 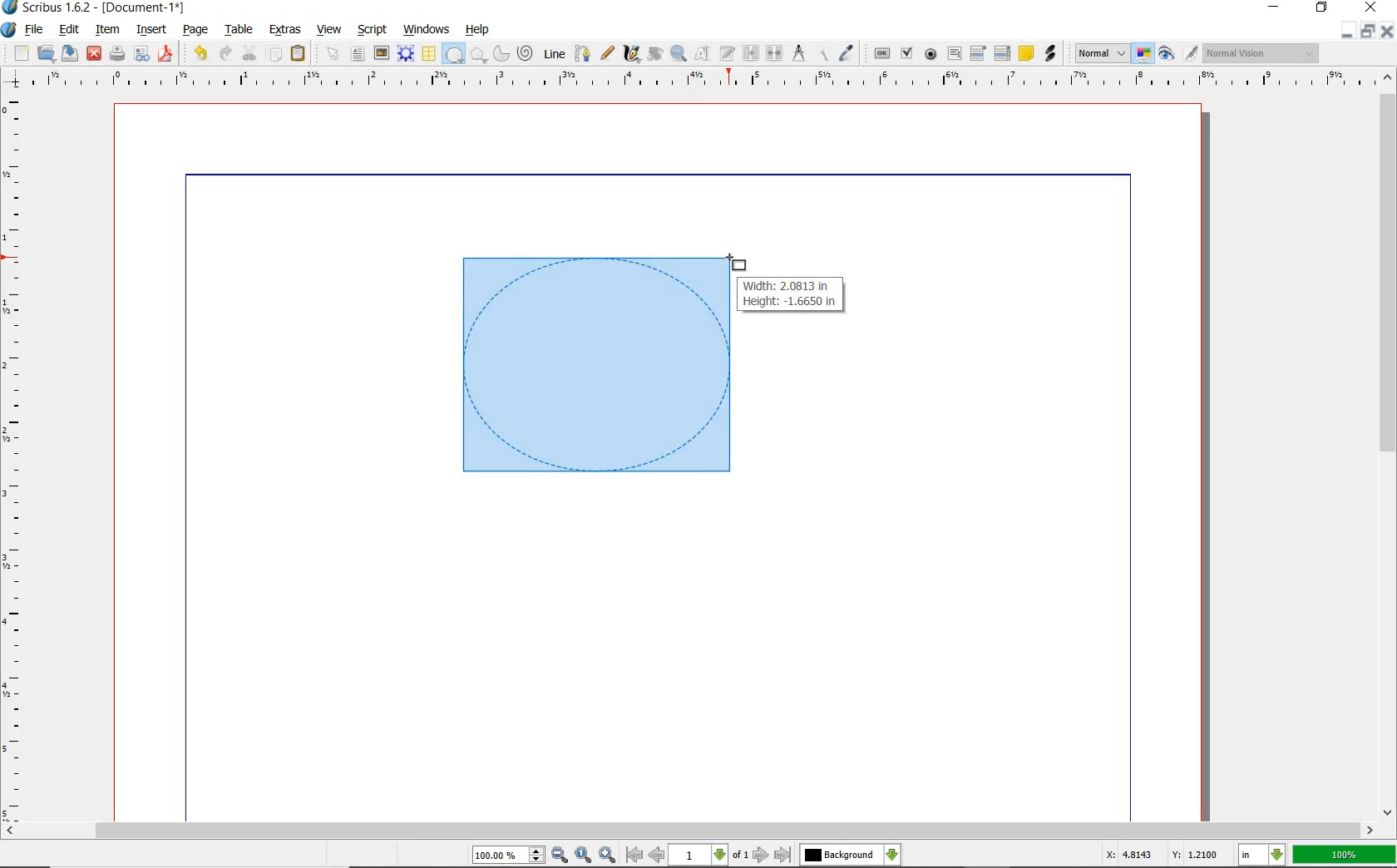 I want to click on CLOSE, so click(x=1387, y=32).